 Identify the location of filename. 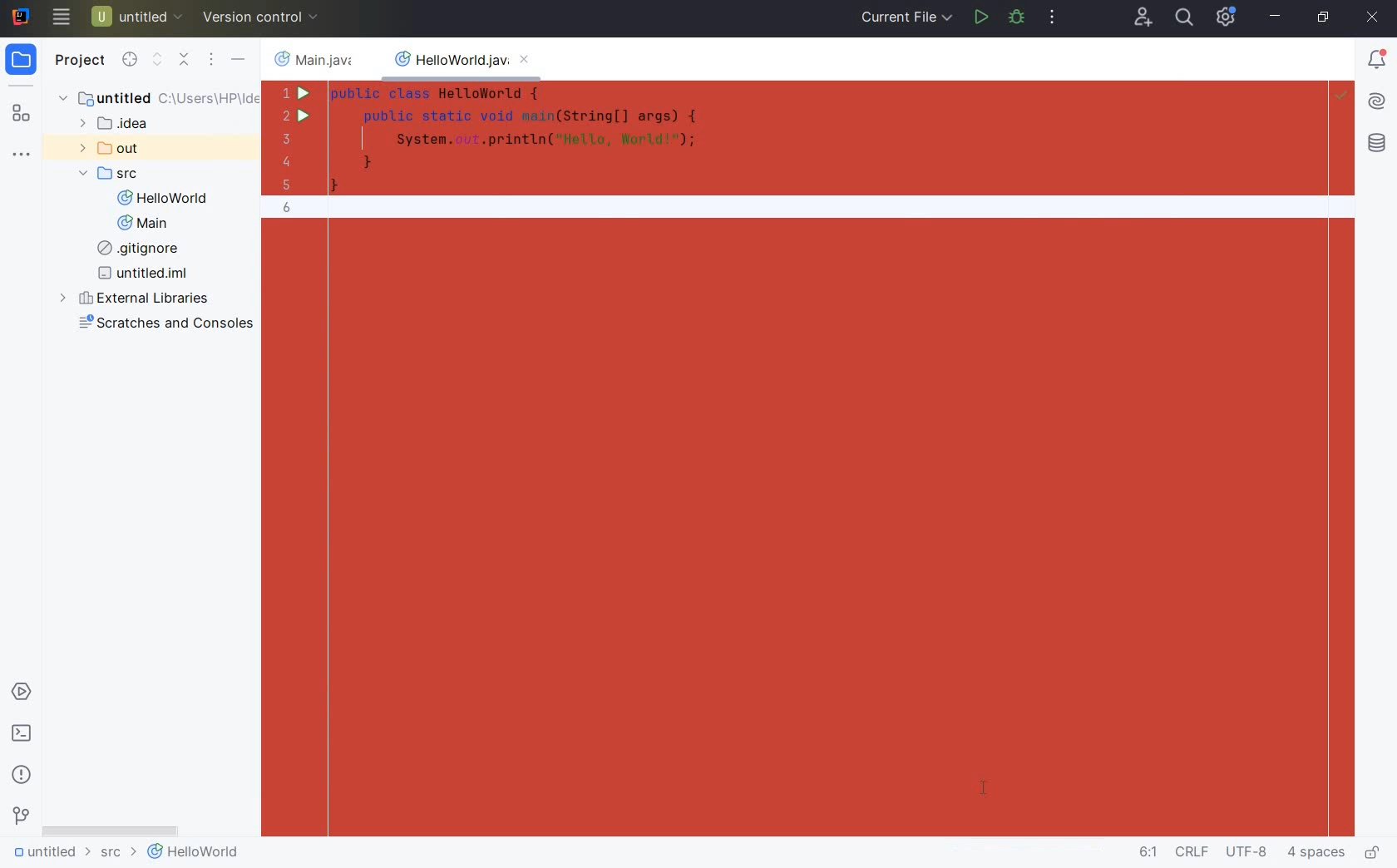
(467, 64).